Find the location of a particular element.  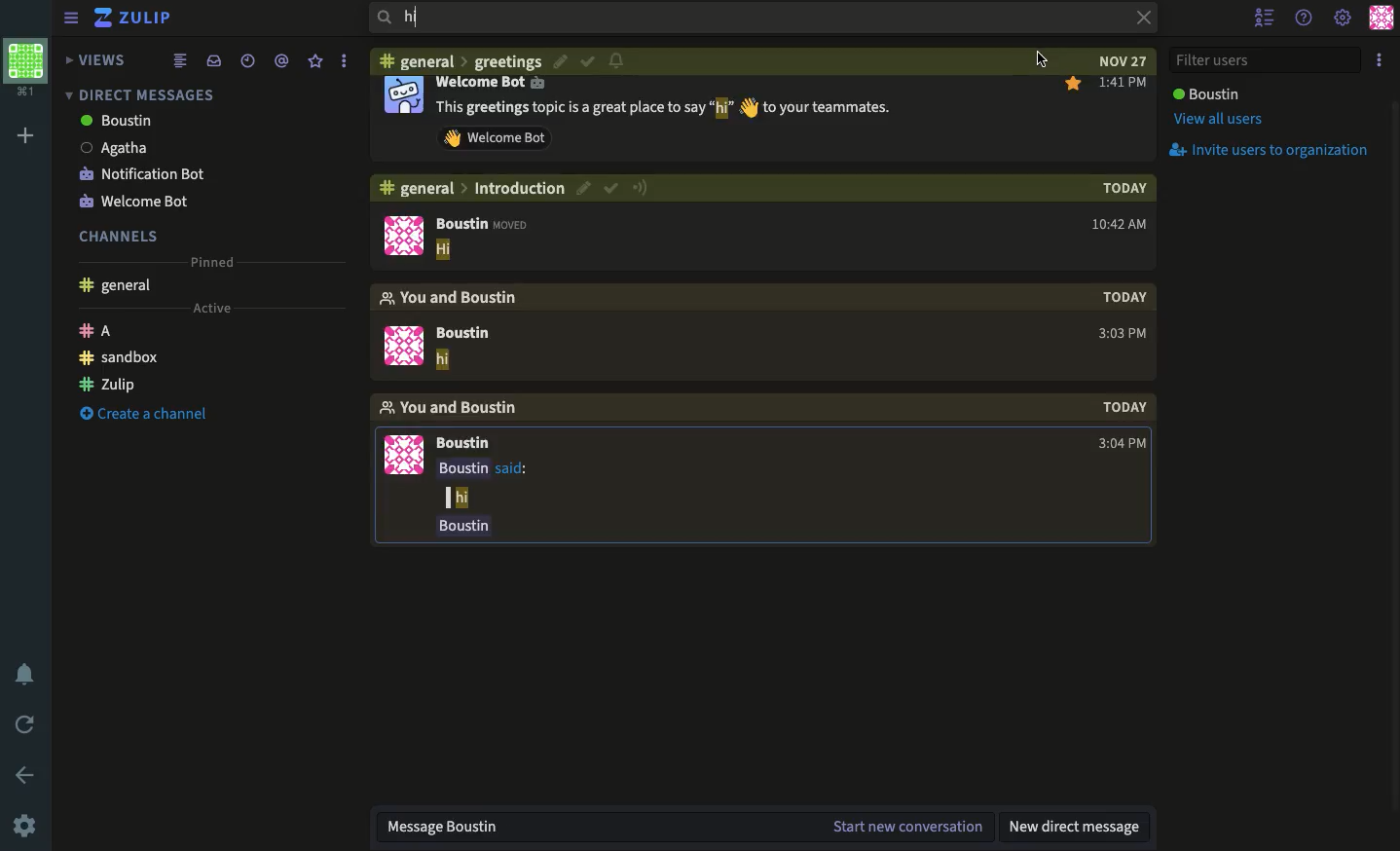

general is located at coordinates (419, 59).